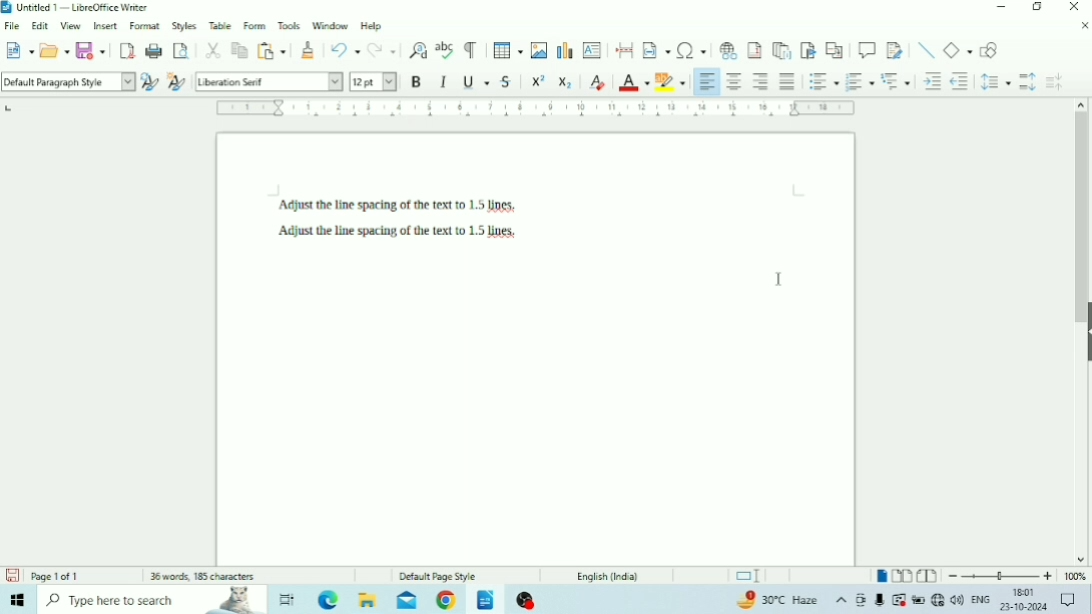 Image resolution: width=1092 pixels, height=614 pixels. I want to click on Insert Image, so click(539, 48).